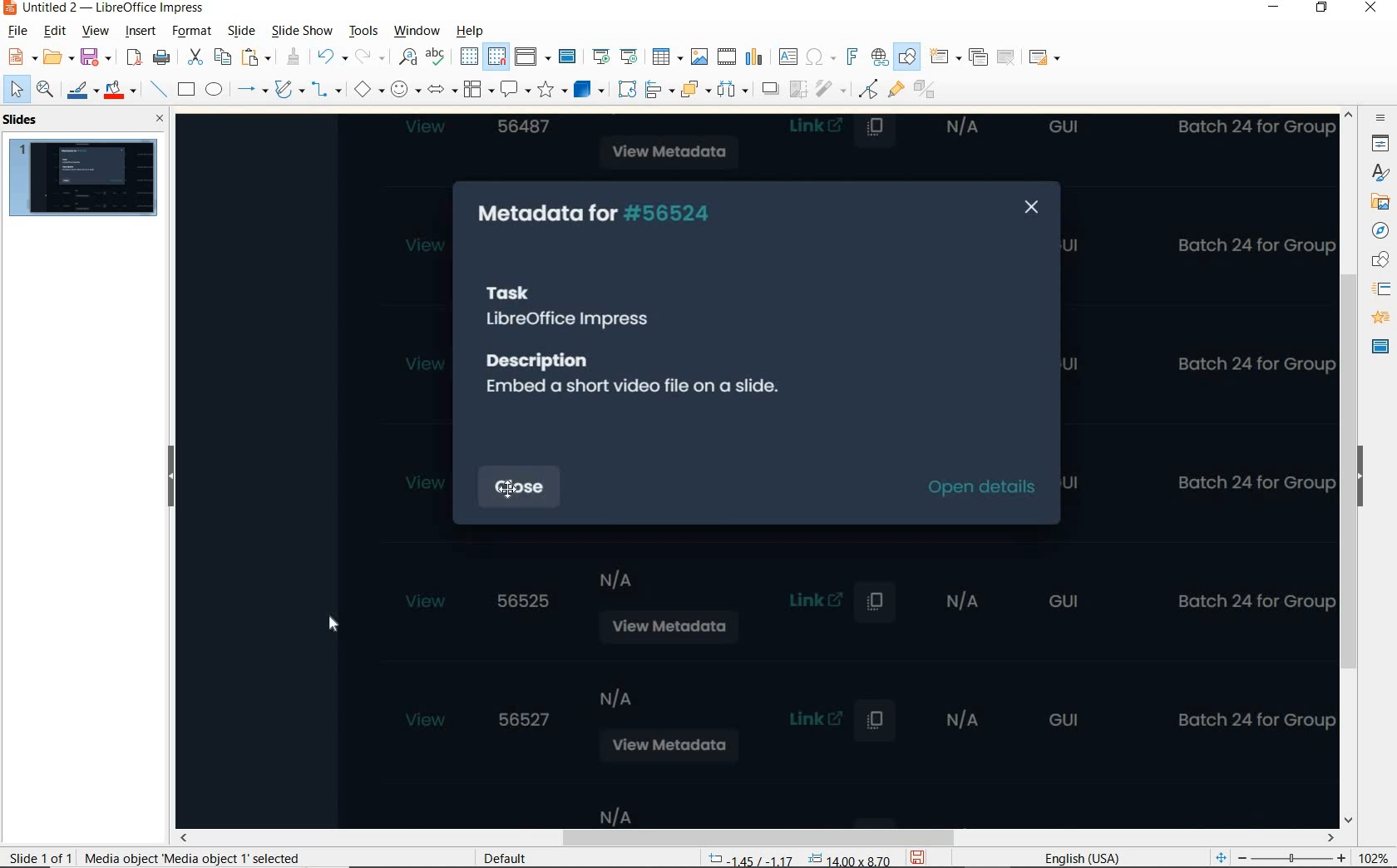 This screenshot has height=868, width=1397. I want to click on NEW SLIDE, so click(945, 56).